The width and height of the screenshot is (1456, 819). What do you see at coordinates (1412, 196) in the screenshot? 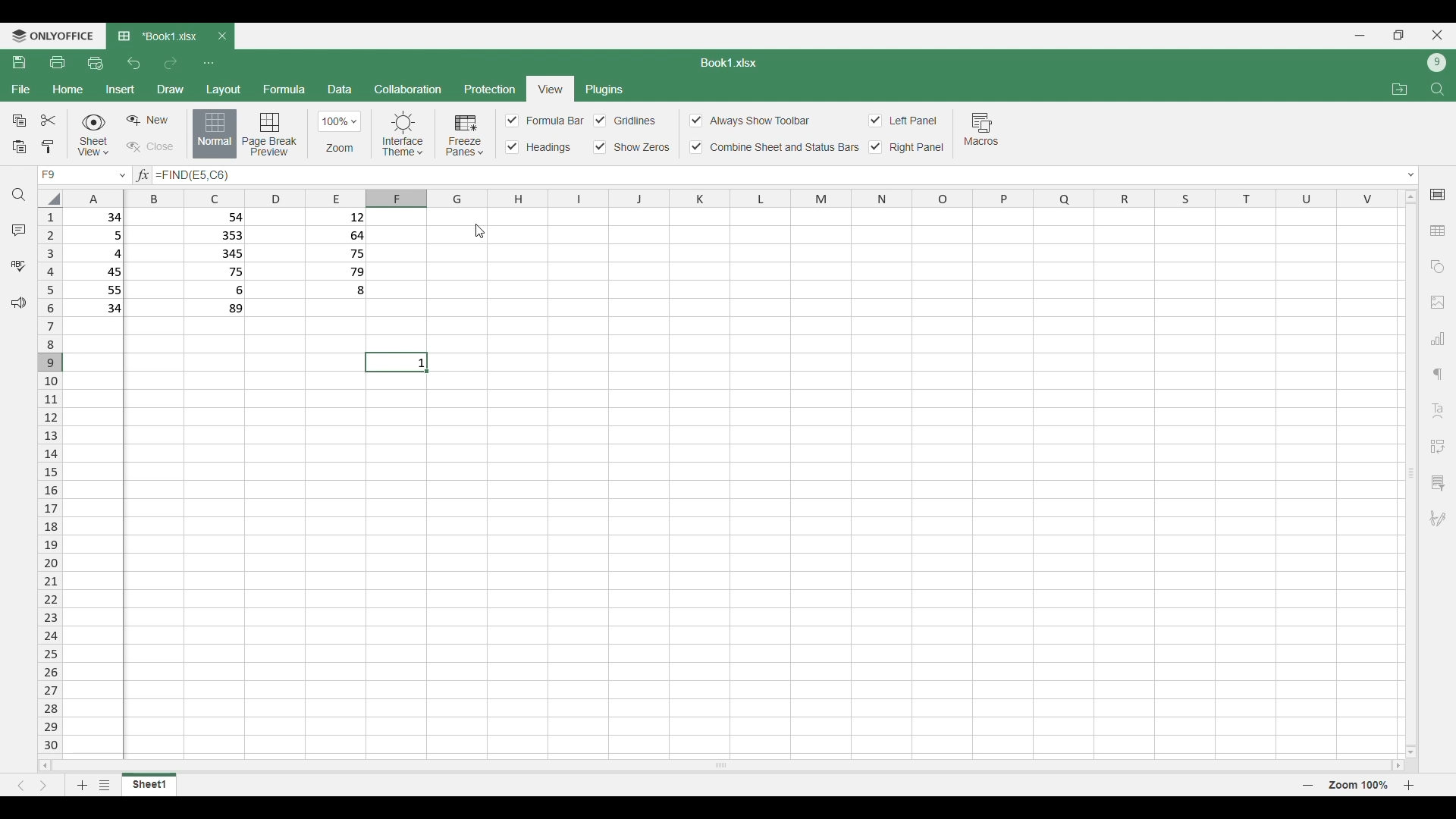
I see `move up` at bounding box center [1412, 196].